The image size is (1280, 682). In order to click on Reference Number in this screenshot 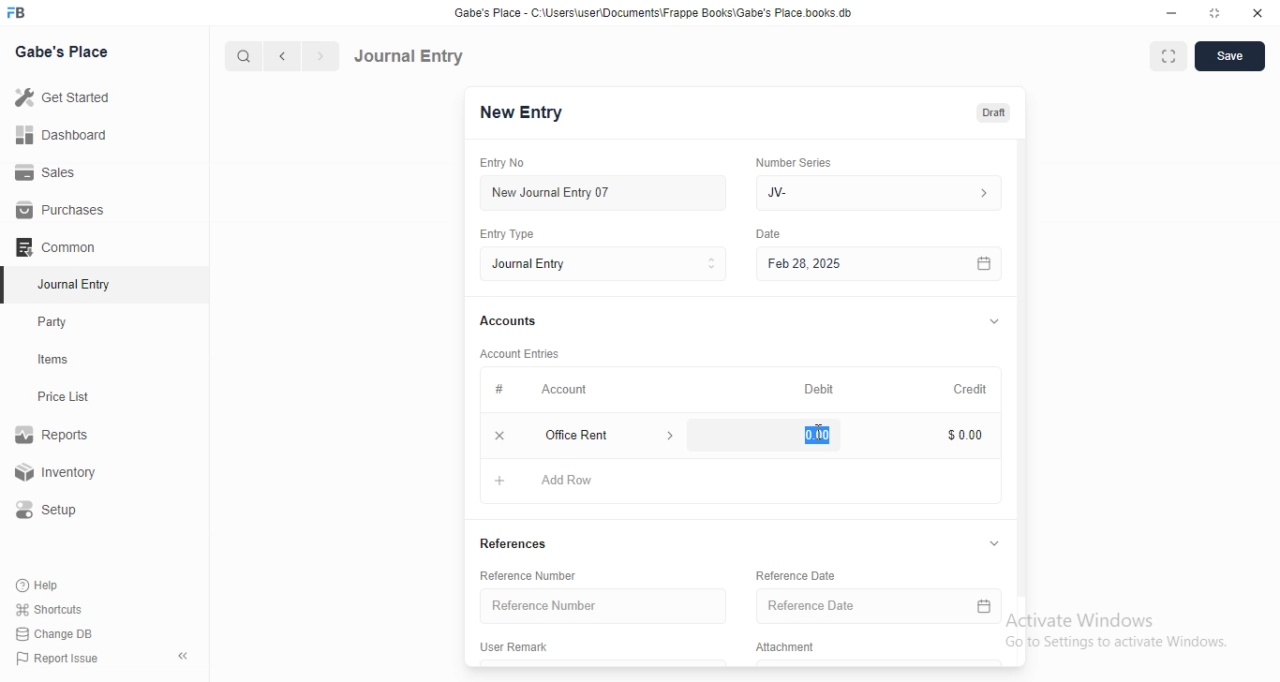, I will do `click(604, 606)`.